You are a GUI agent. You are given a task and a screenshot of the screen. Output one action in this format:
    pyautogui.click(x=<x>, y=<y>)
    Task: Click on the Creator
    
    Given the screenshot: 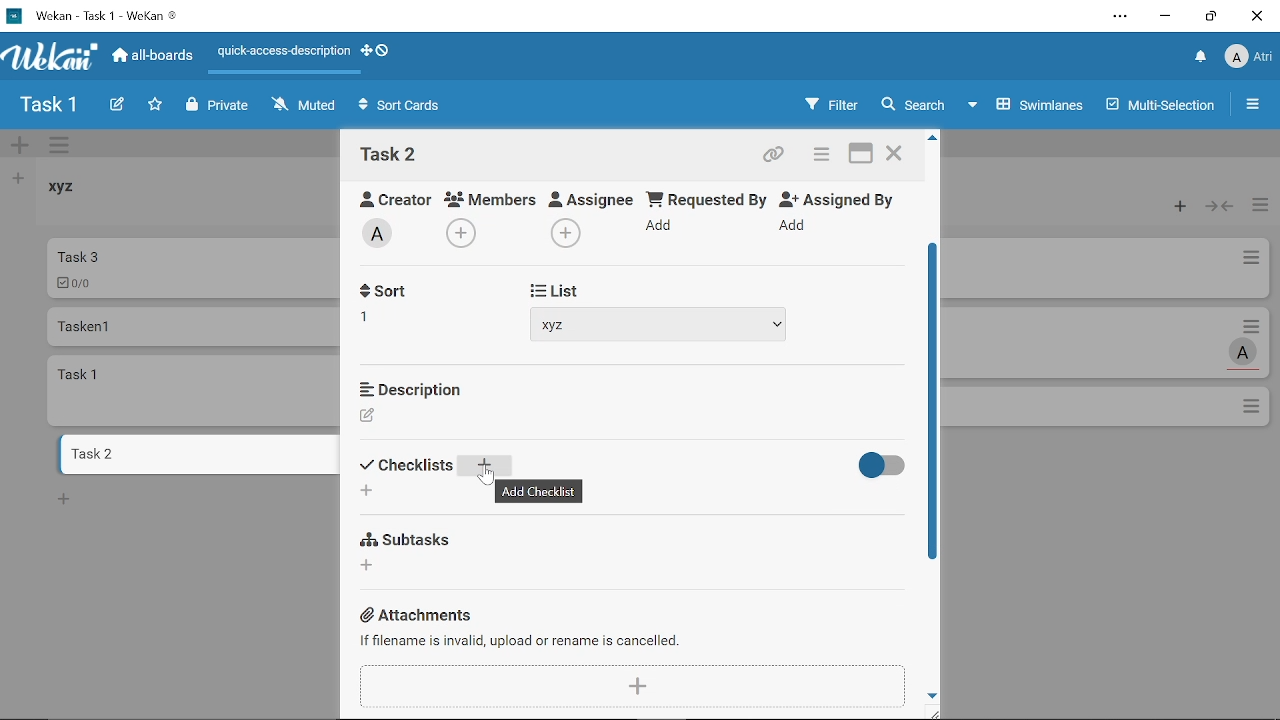 What is the action you would take?
    pyautogui.click(x=368, y=416)
    